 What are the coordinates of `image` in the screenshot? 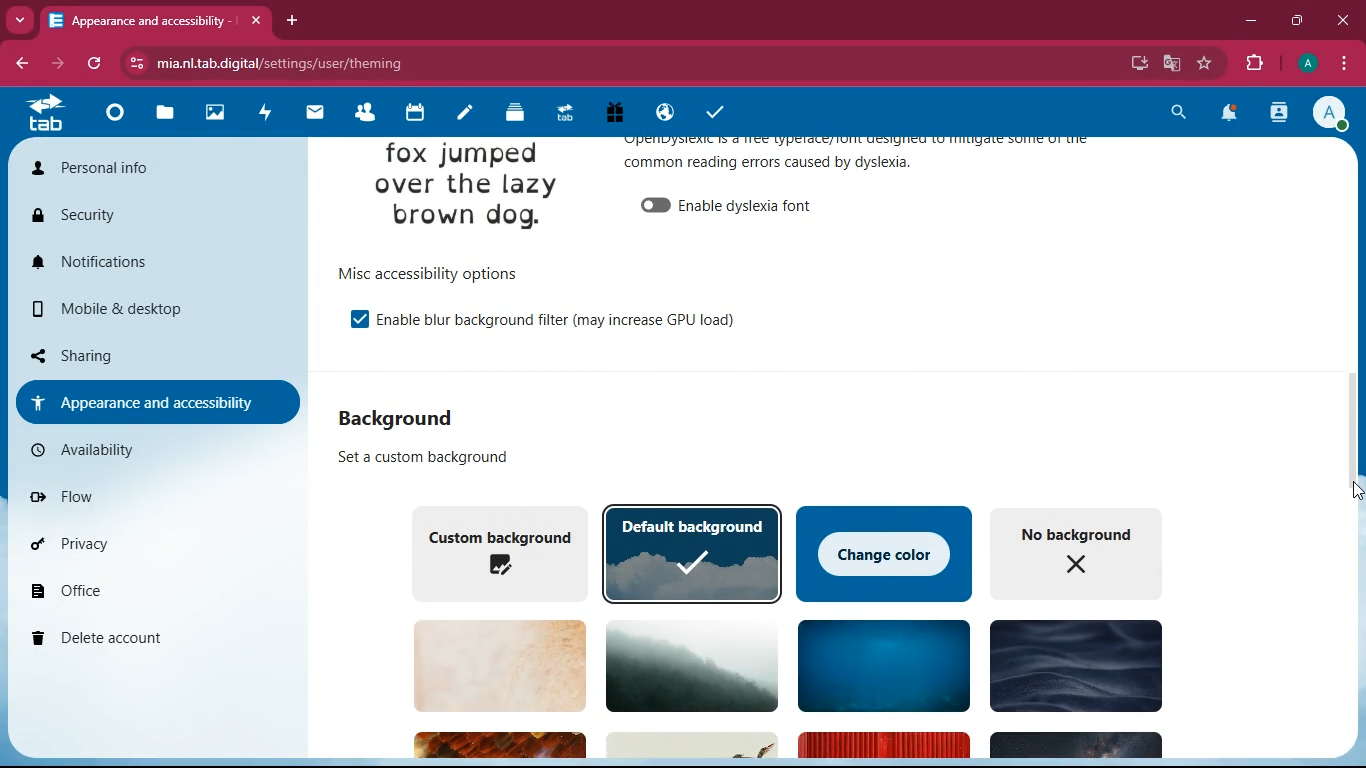 It's located at (469, 187).